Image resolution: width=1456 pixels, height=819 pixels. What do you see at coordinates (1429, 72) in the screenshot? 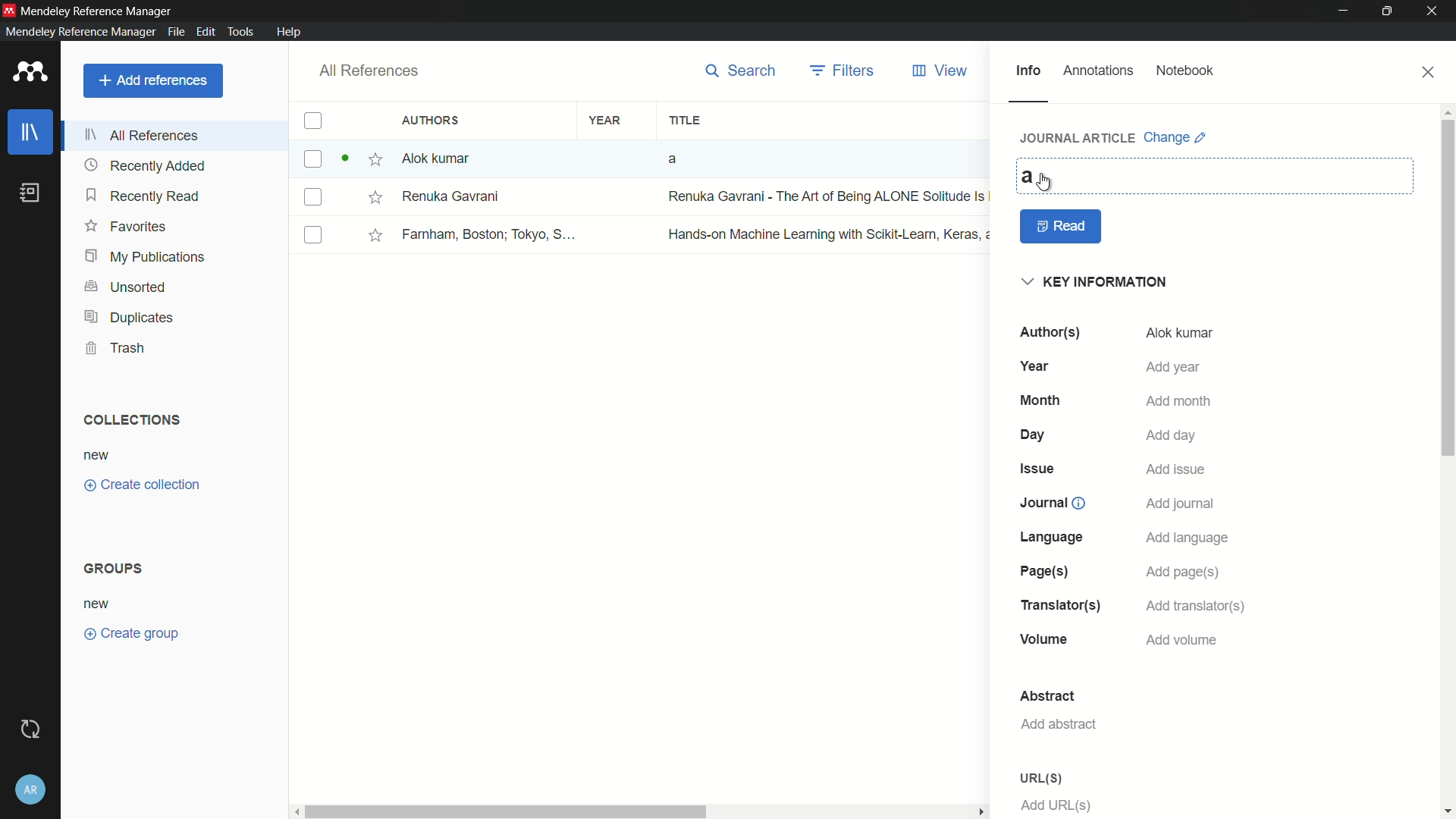
I see `close` at bounding box center [1429, 72].